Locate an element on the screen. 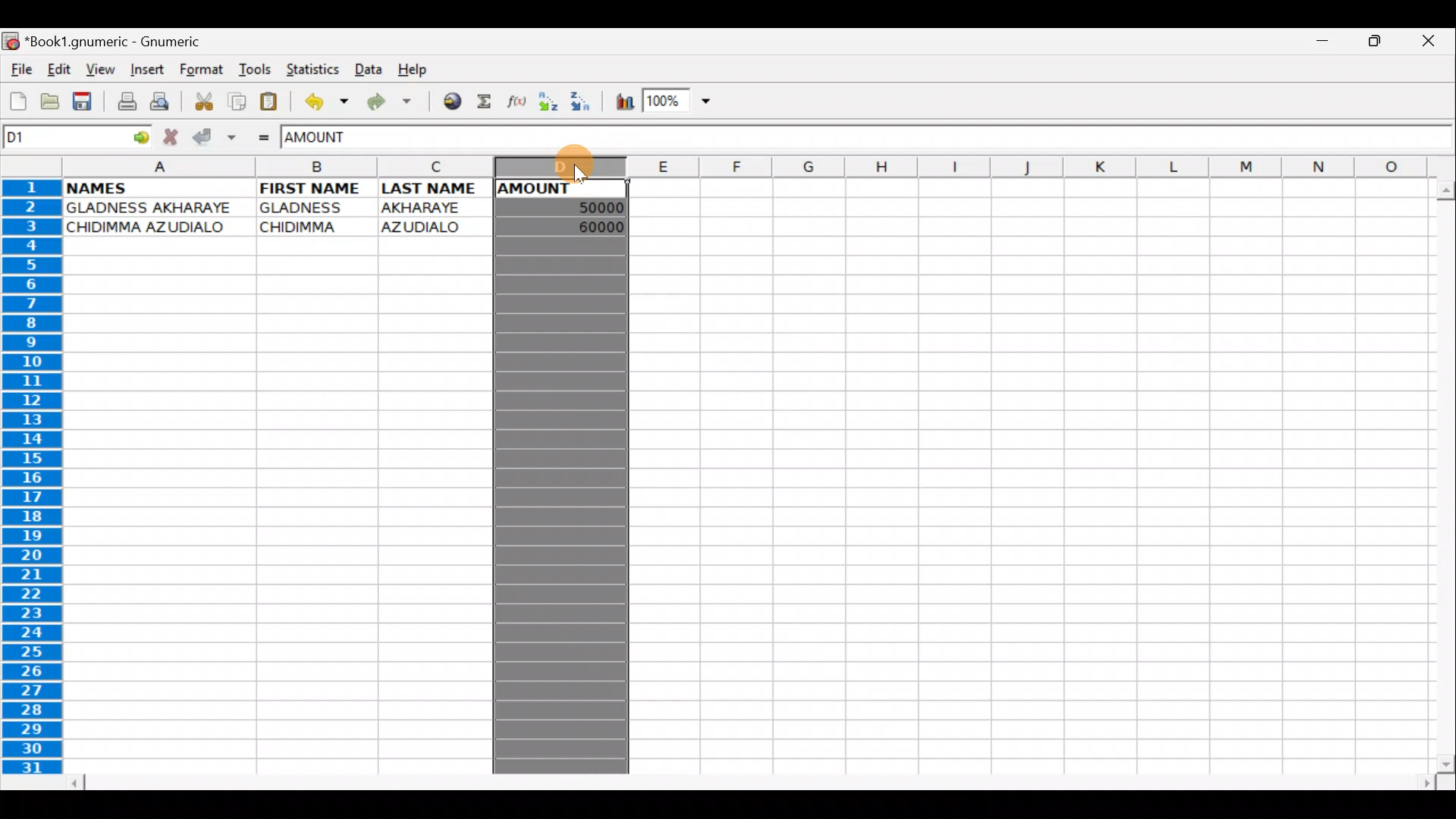 Image resolution: width=1456 pixels, height=819 pixels. Sort Ascending order is located at coordinates (550, 102).